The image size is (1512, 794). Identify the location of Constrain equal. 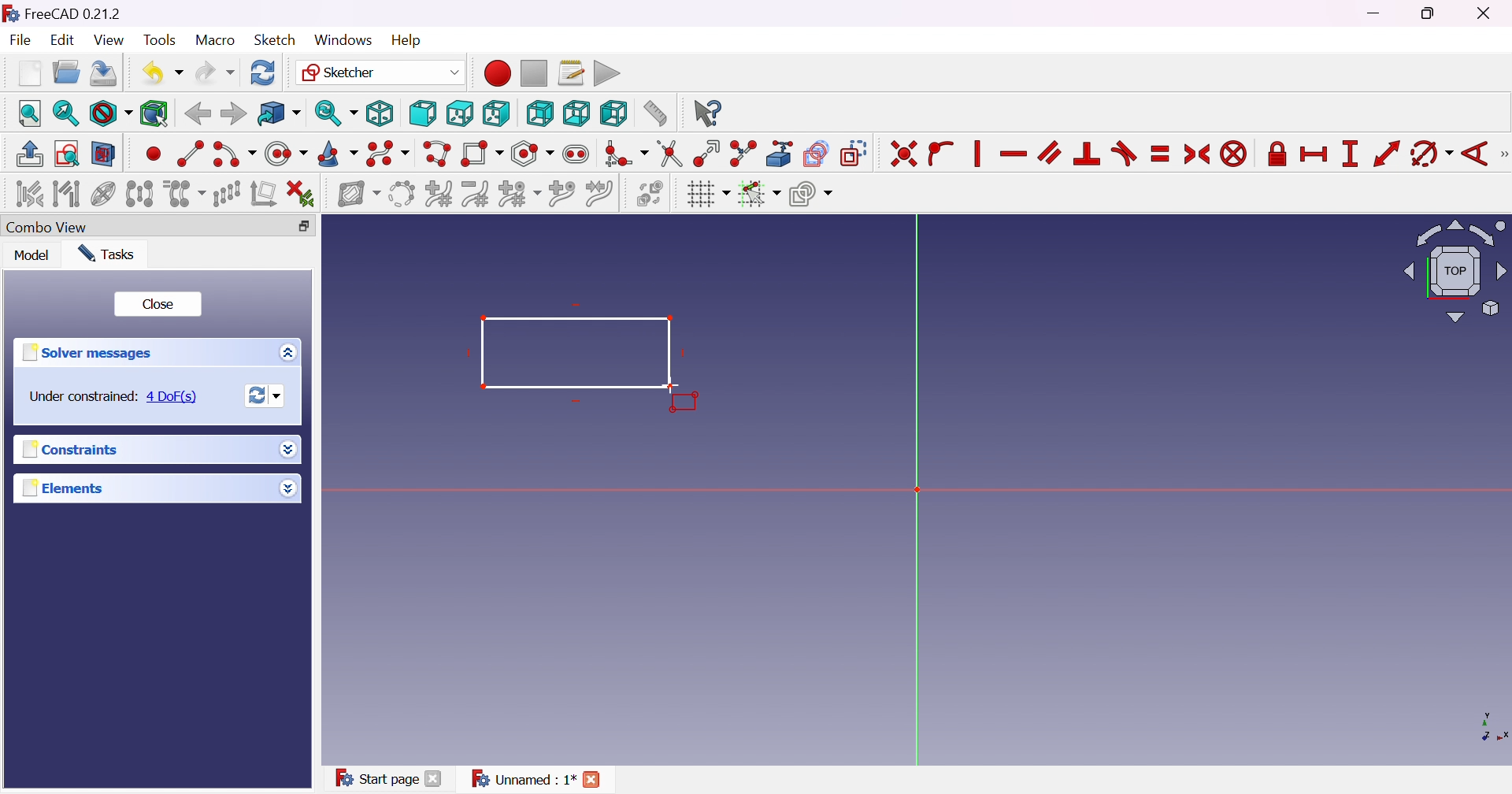
(1162, 155).